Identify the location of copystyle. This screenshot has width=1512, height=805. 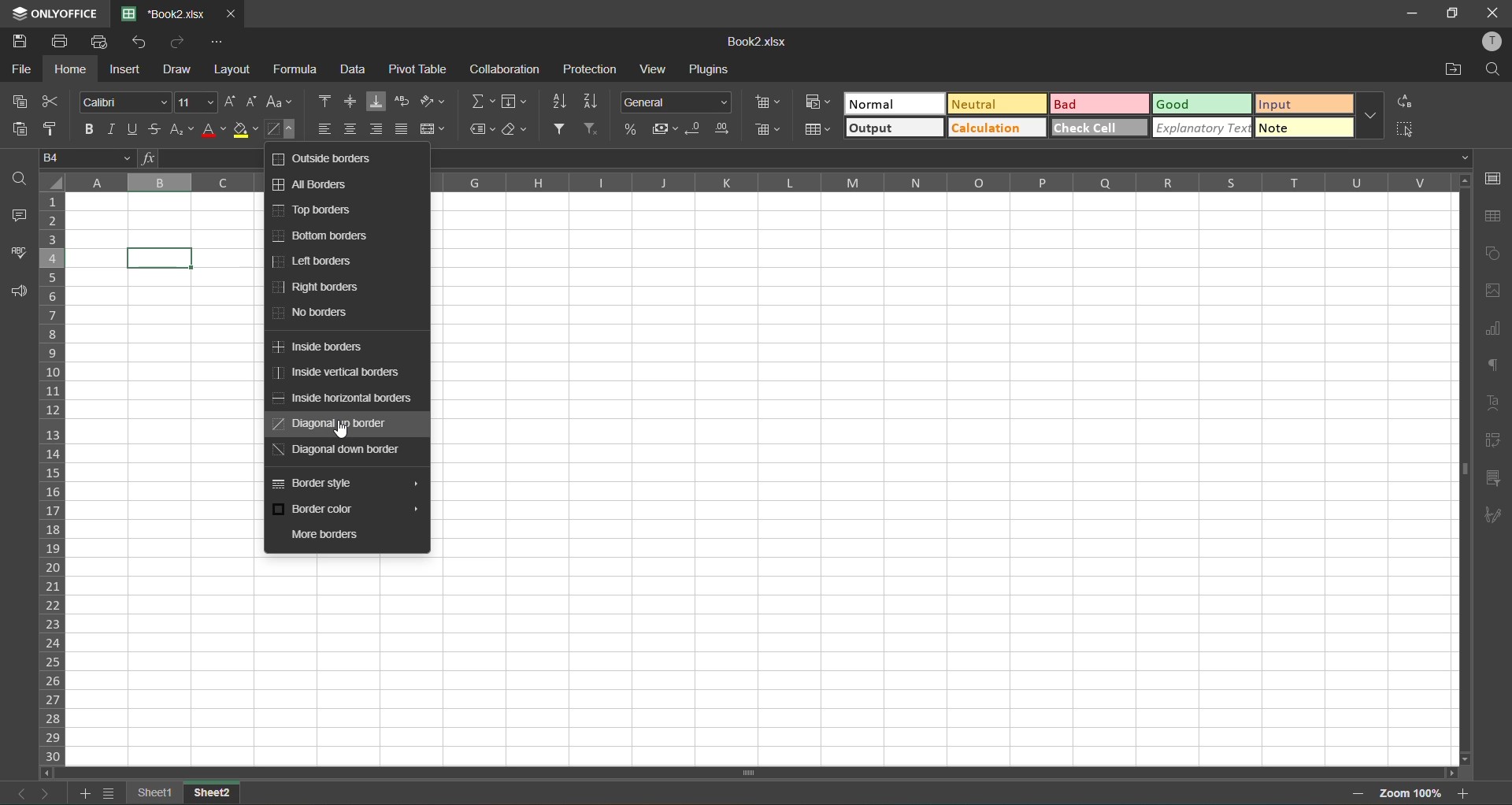
(51, 124).